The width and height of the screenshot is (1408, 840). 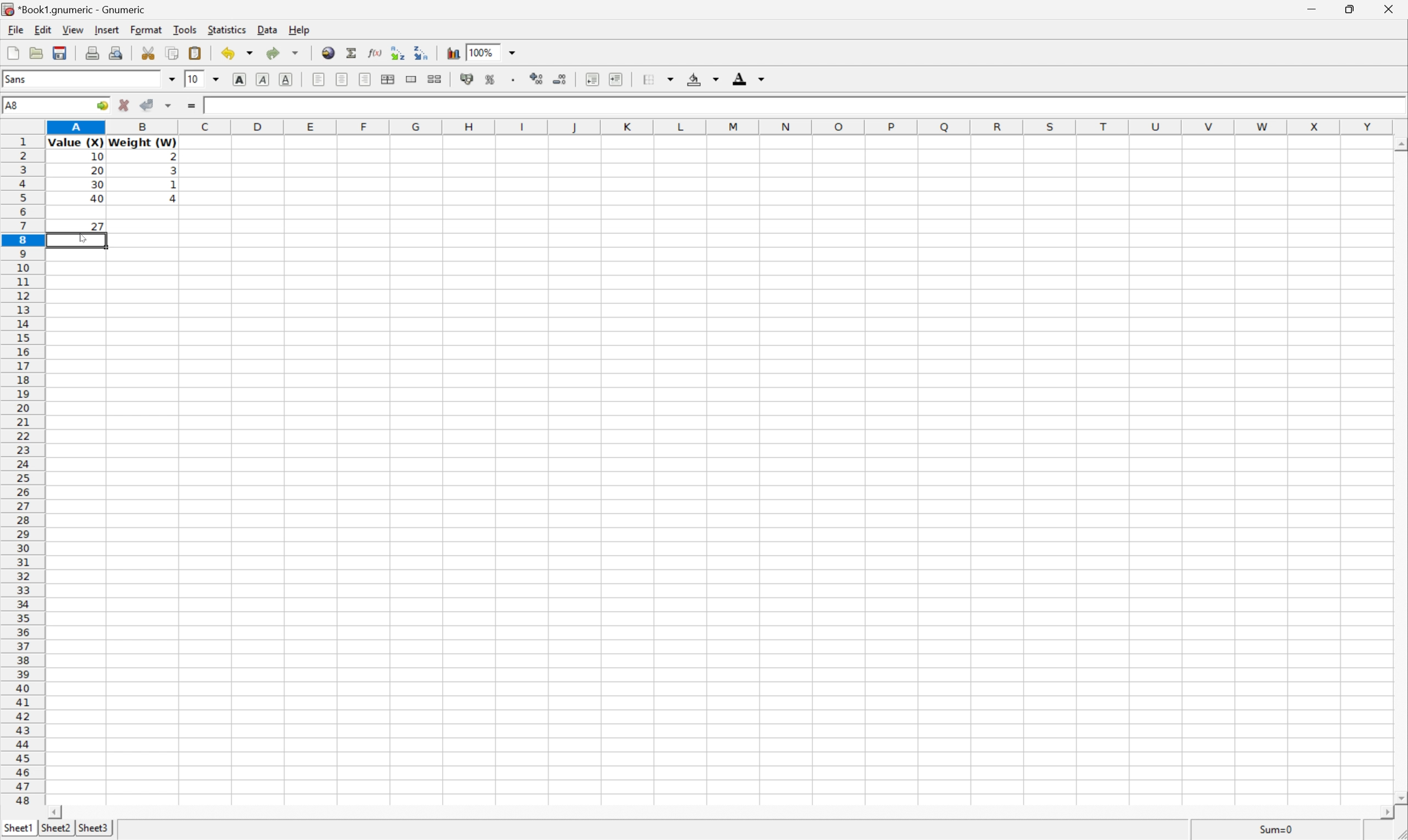 I want to click on Format selection as percentage, so click(x=492, y=80).